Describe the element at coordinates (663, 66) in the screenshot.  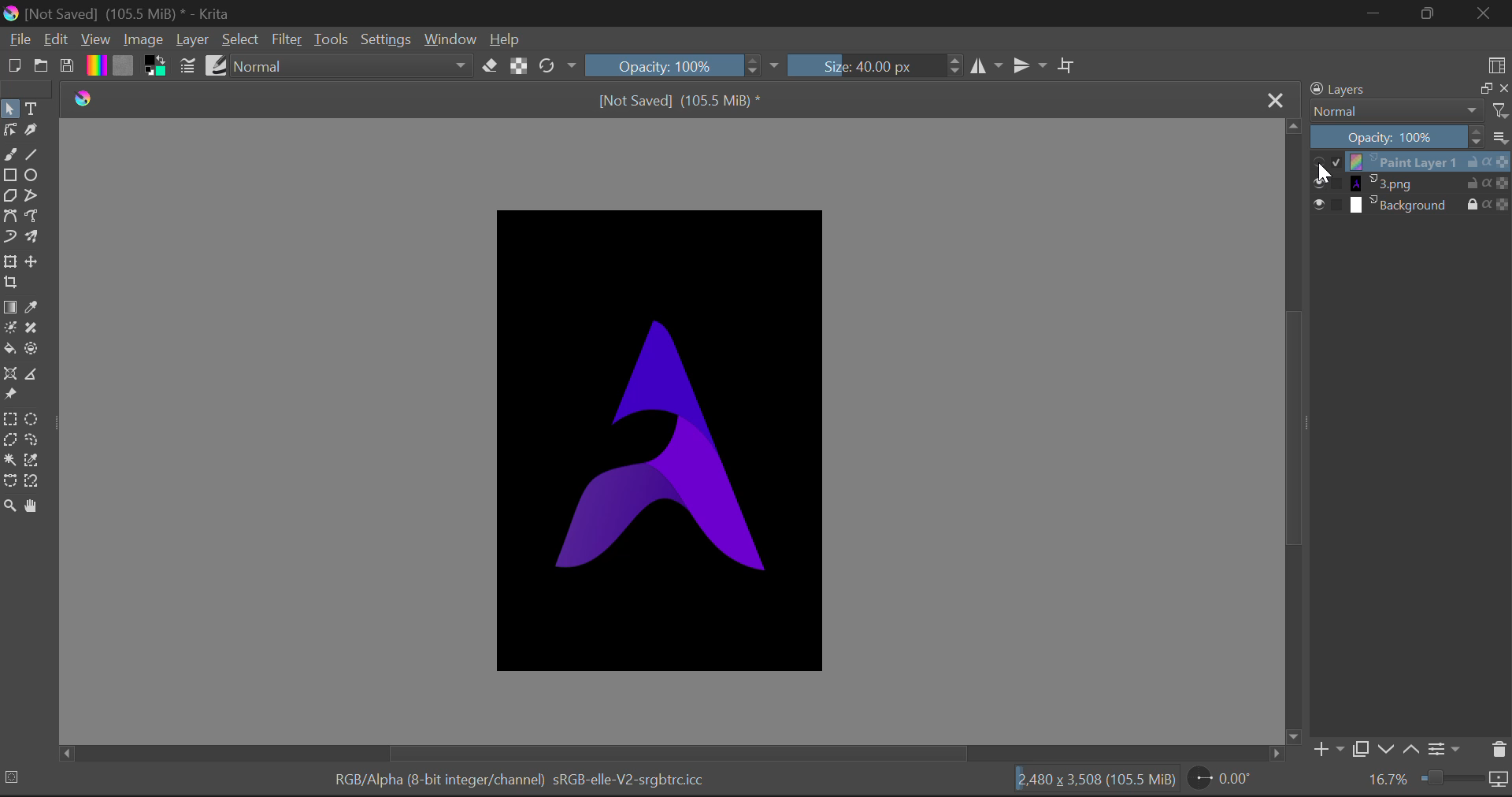
I see `Opacity` at that location.